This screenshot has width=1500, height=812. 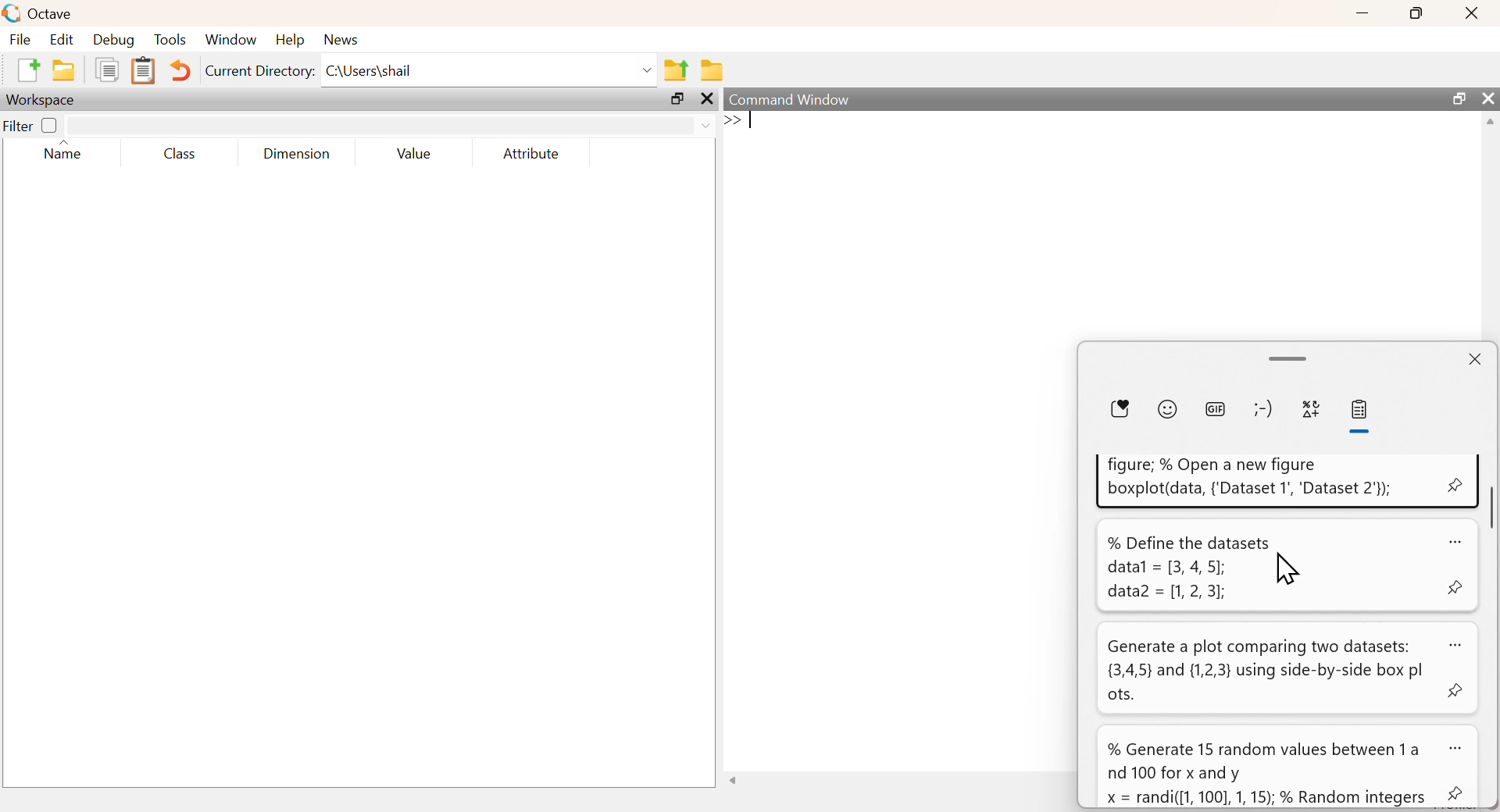 I want to click on Filter, so click(x=31, y=124).